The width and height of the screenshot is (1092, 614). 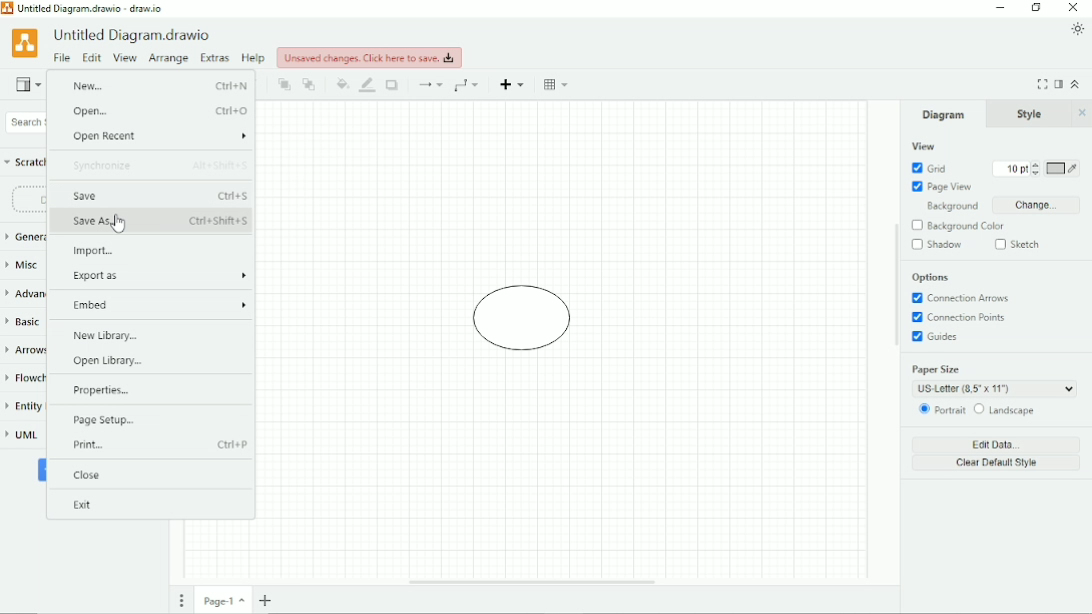 I want to click on Paper Size: US Letter (8.5' x 11'), so click(x=998, y=380).